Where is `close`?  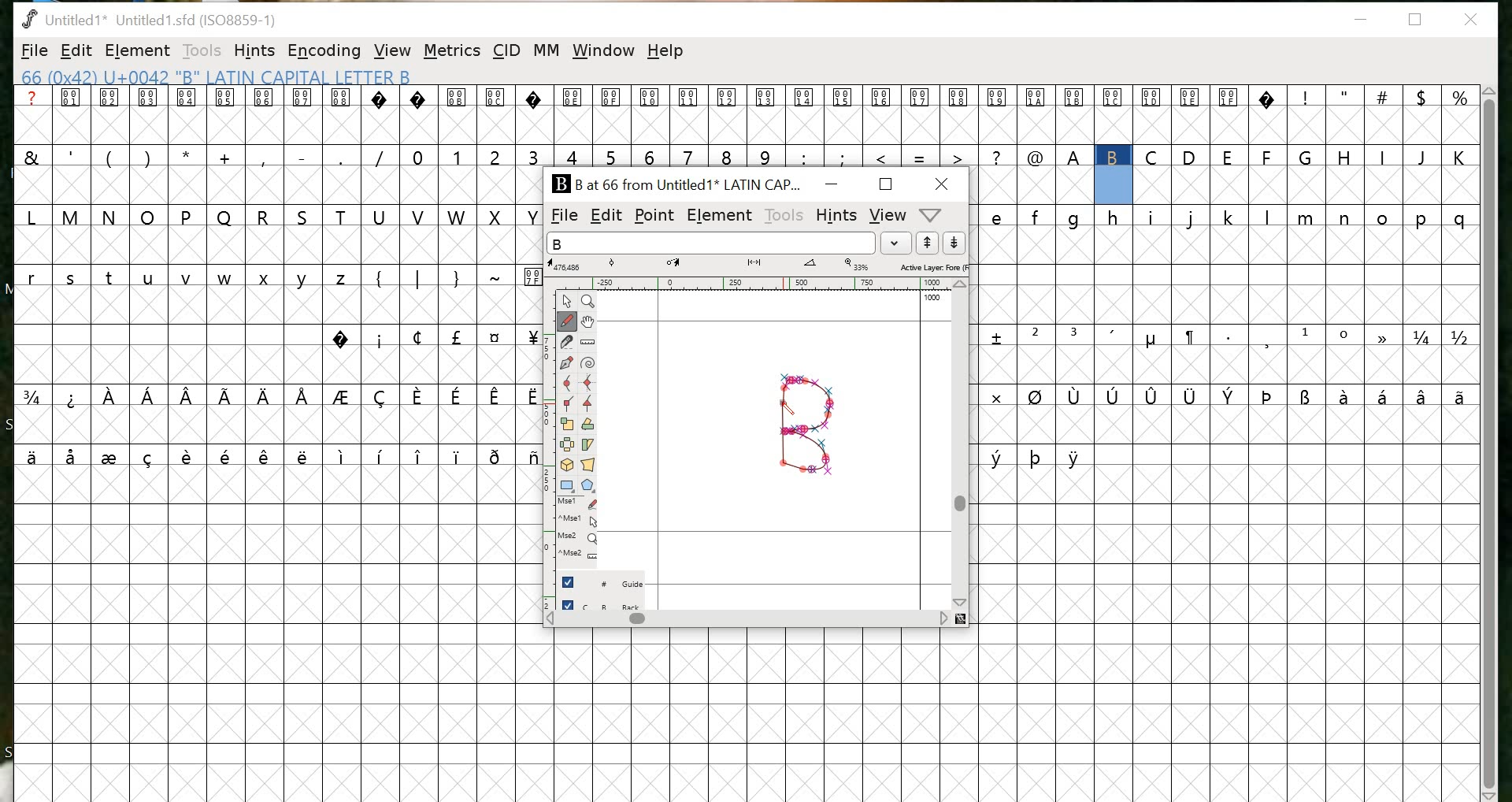 close is located at coordinates (1473, 20).